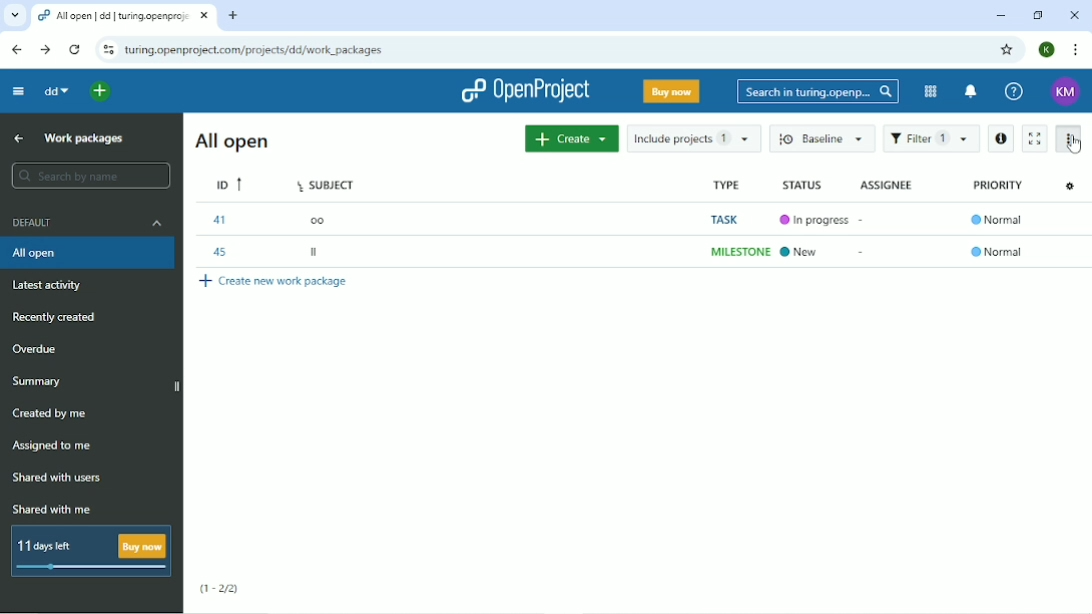 Image resolution: width=1092 pixels, height=614 pixels. I want to click on Help, so click(1013, 92).